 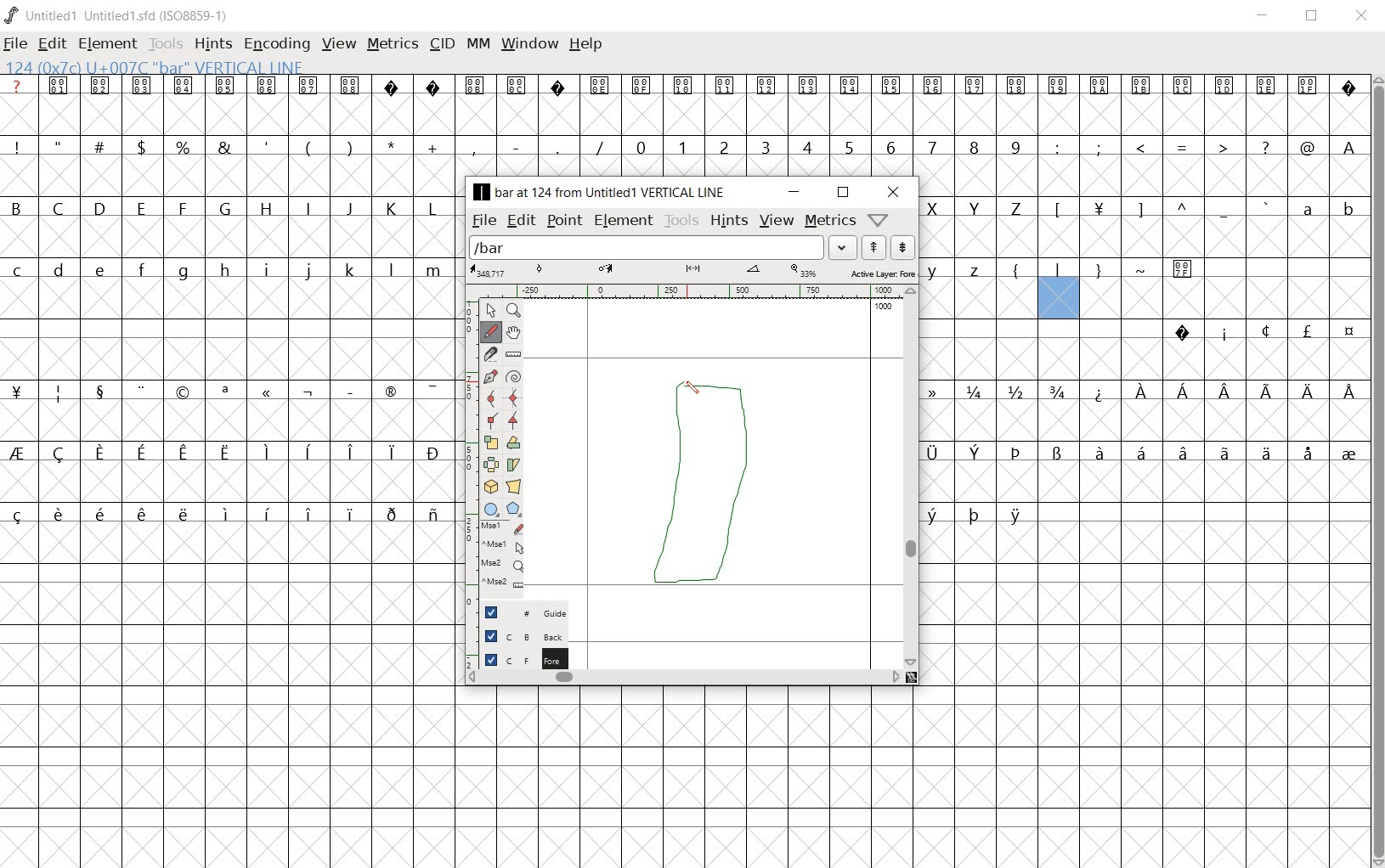 What do you see at coordinates (500, 546) in the screenshot?
I see `mse1` at bounding box center [500, 546].